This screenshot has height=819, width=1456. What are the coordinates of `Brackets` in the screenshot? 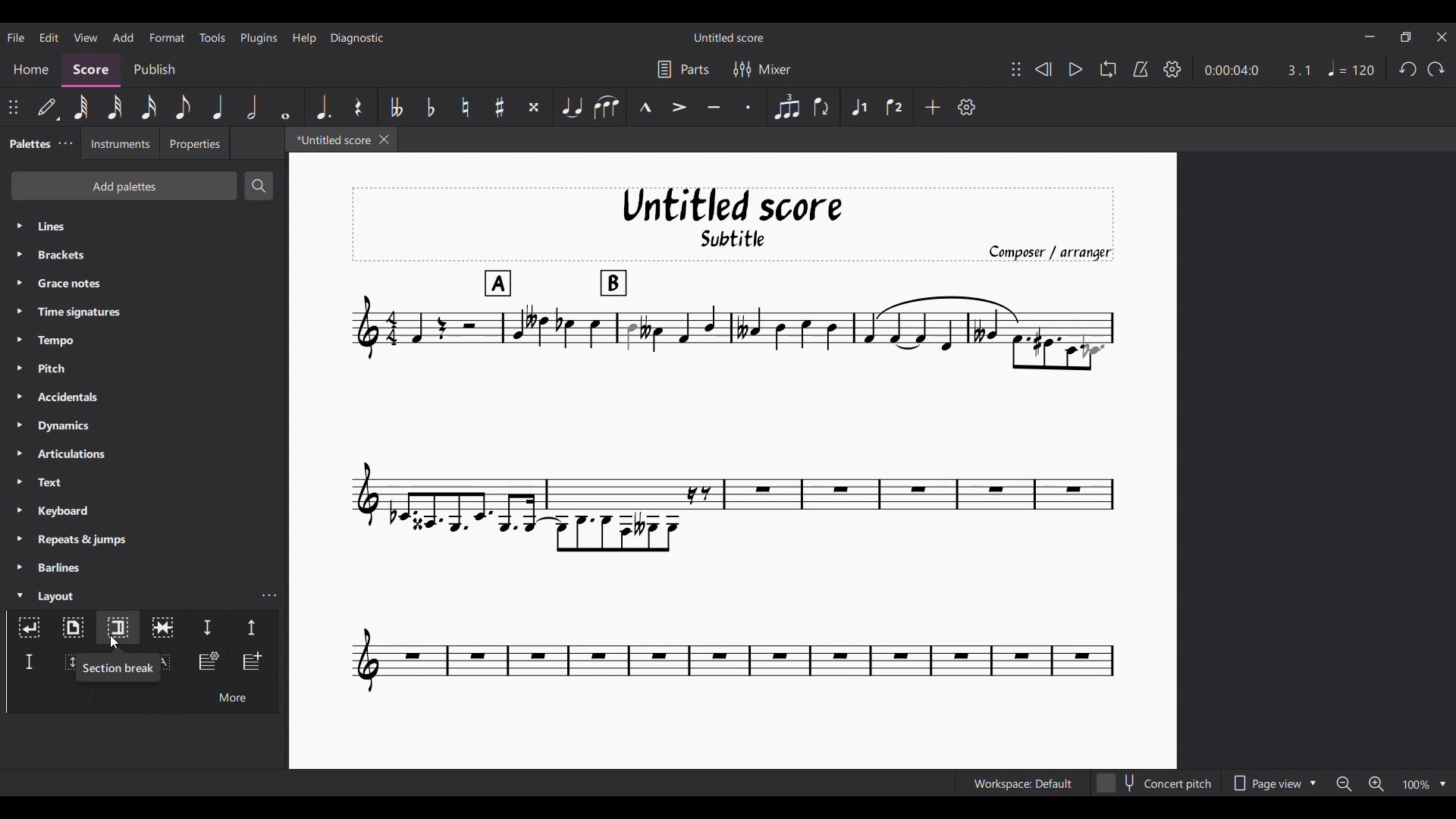 It's located at (143, 255).